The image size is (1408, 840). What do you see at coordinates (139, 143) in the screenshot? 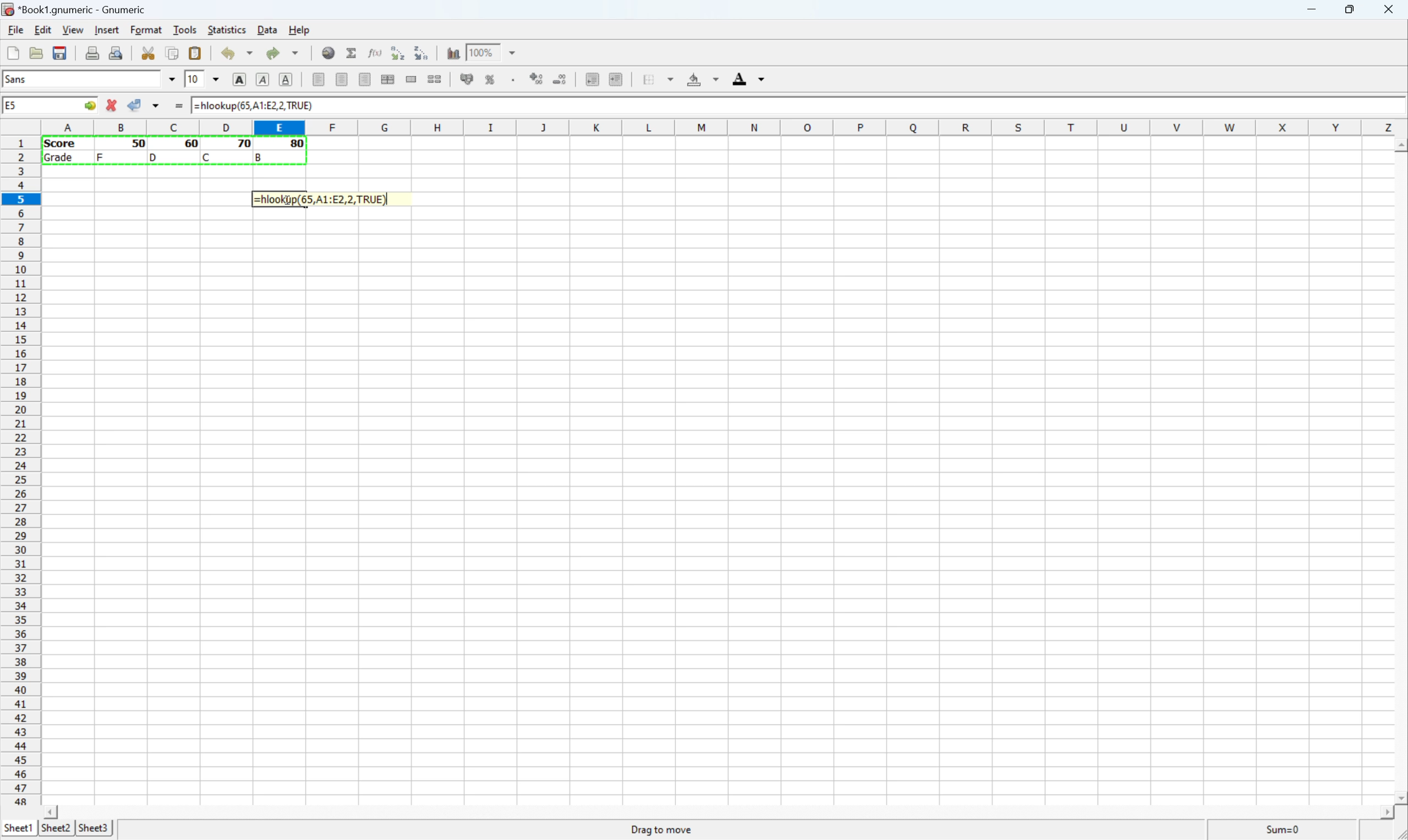
I see `50` at bounding box center [139, 143].